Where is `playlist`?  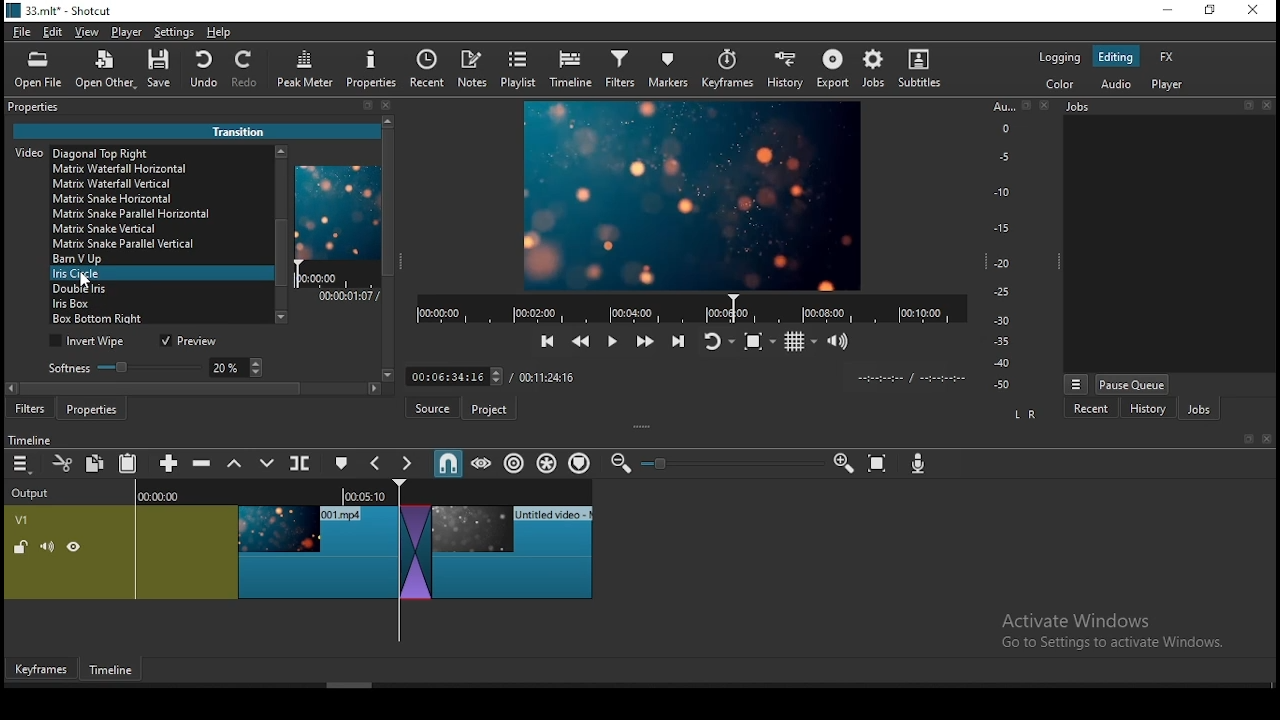
playlist is located at coordinates (520, 70).